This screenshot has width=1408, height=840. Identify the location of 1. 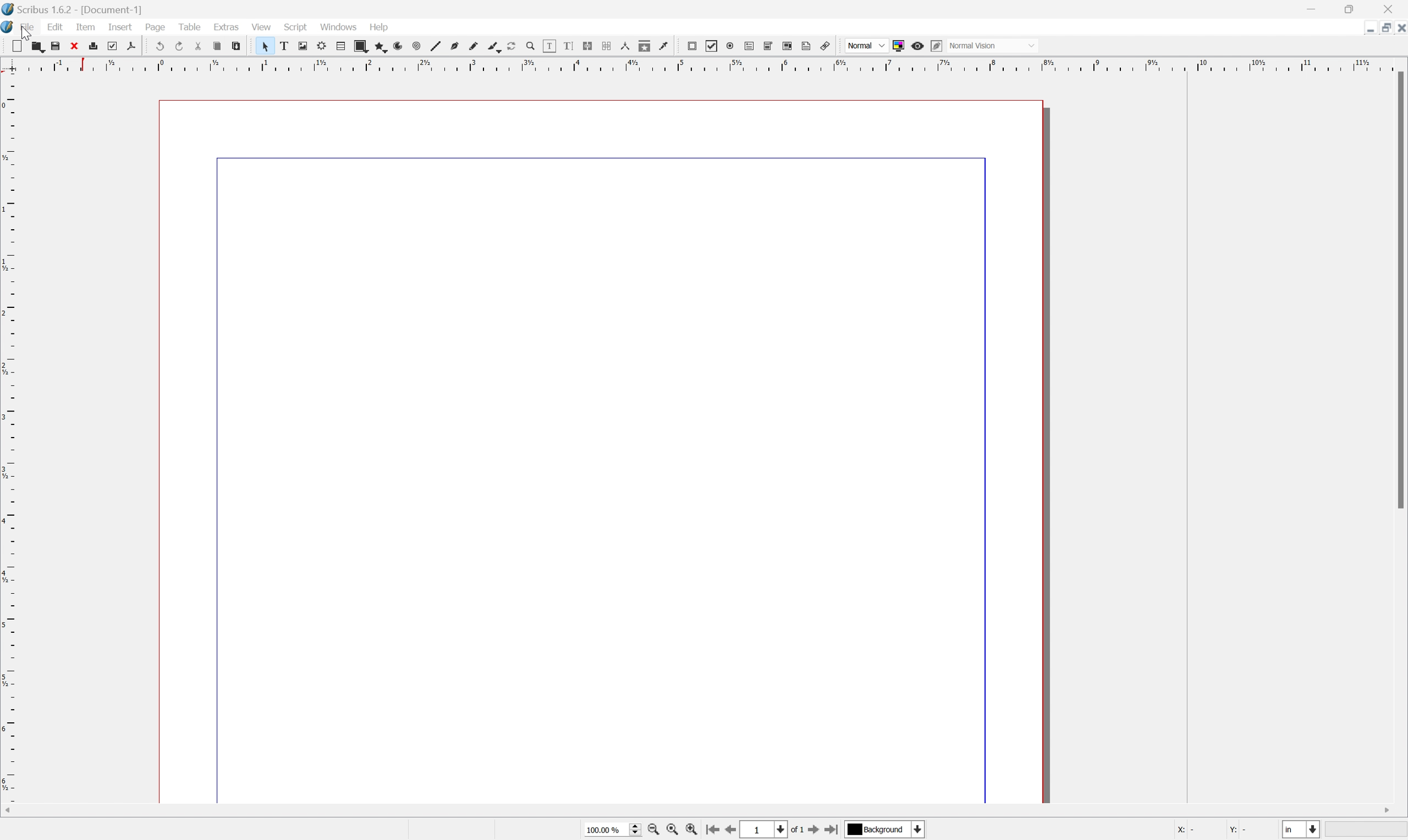
(765, 829).